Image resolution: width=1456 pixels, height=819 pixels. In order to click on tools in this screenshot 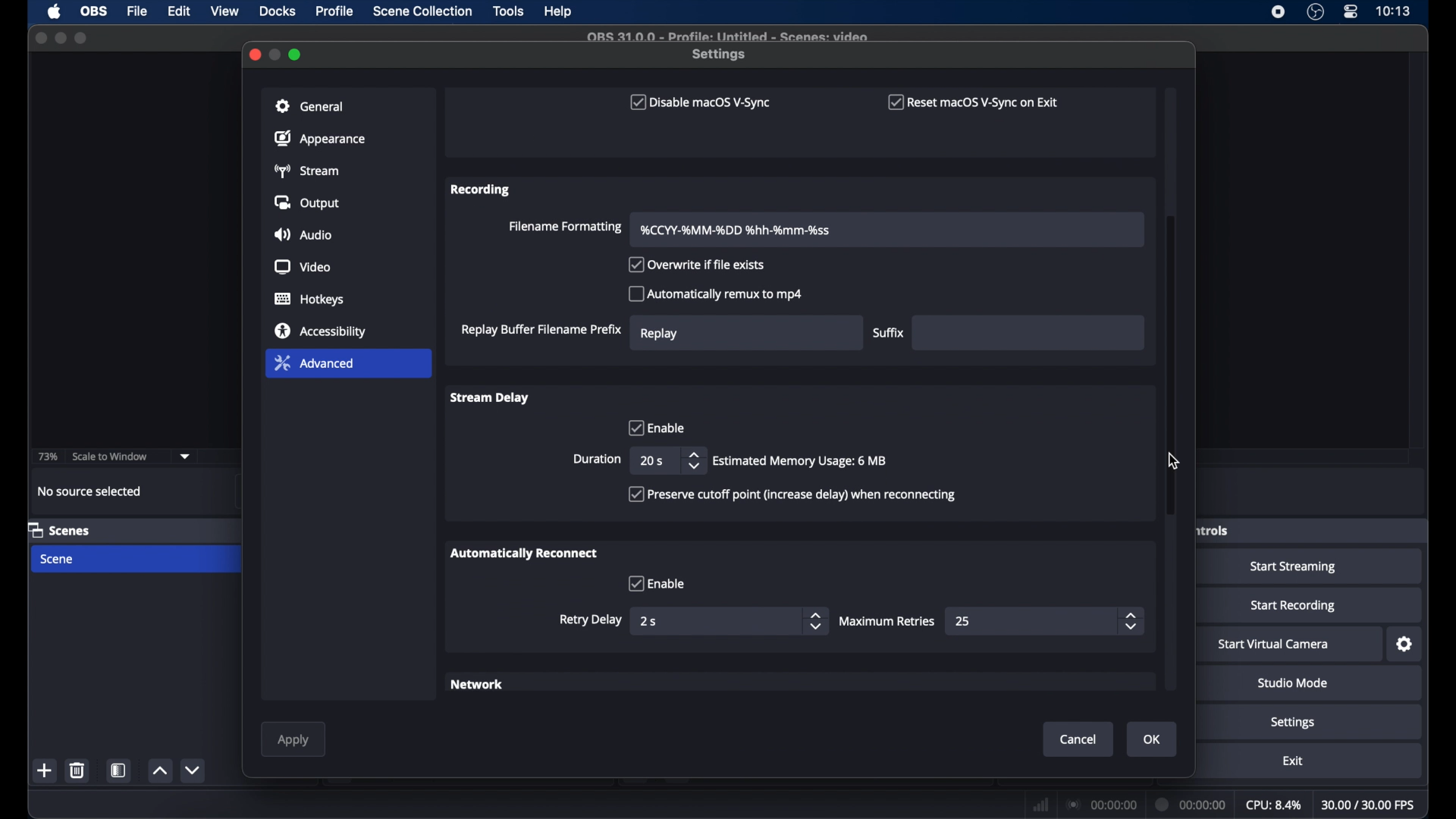, I will do `click(509, 11)`.